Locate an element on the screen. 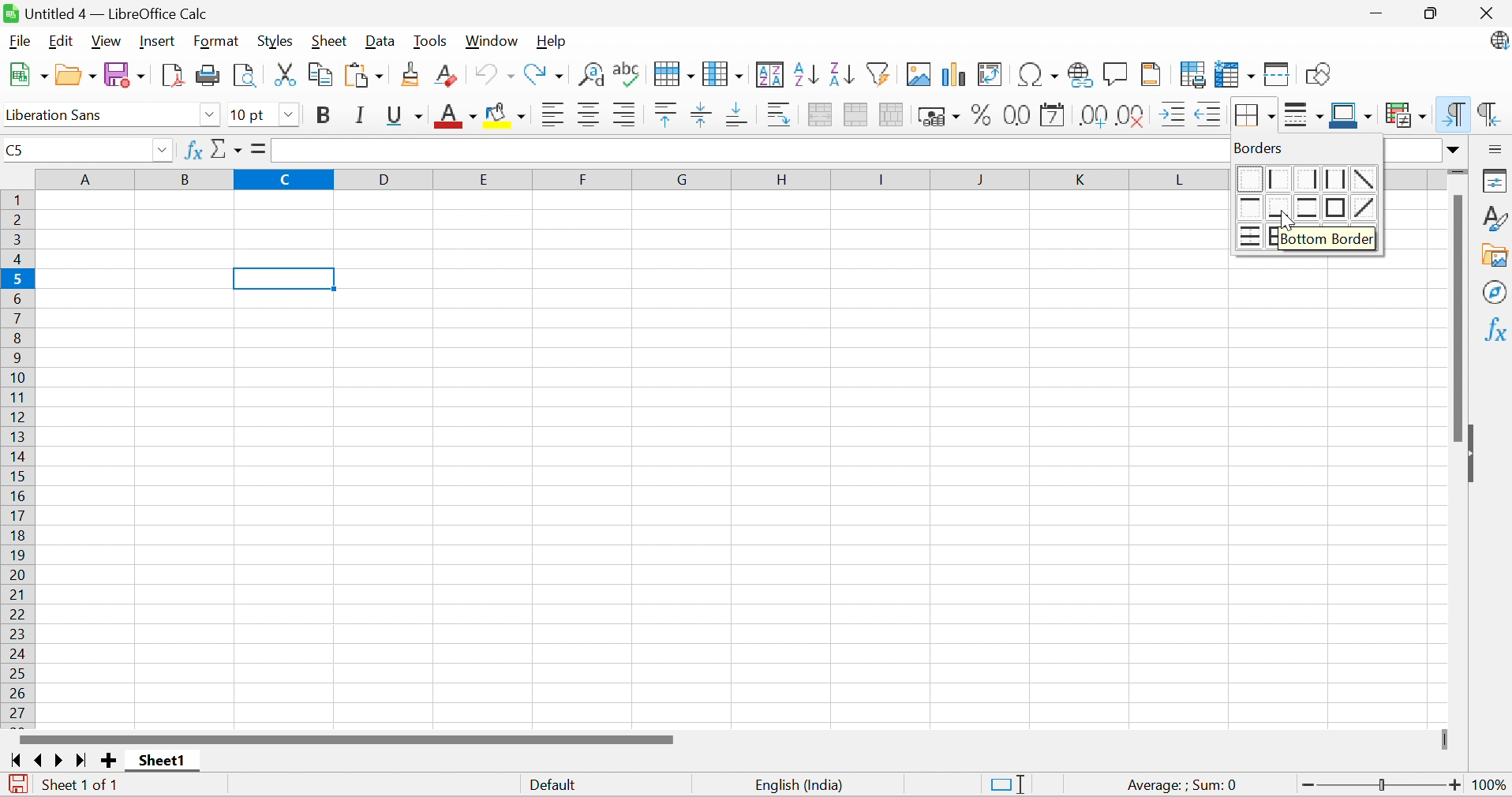 This screenshot has width=1512, height=797. Scroll to last sheet is located at coordinates (79, 761).